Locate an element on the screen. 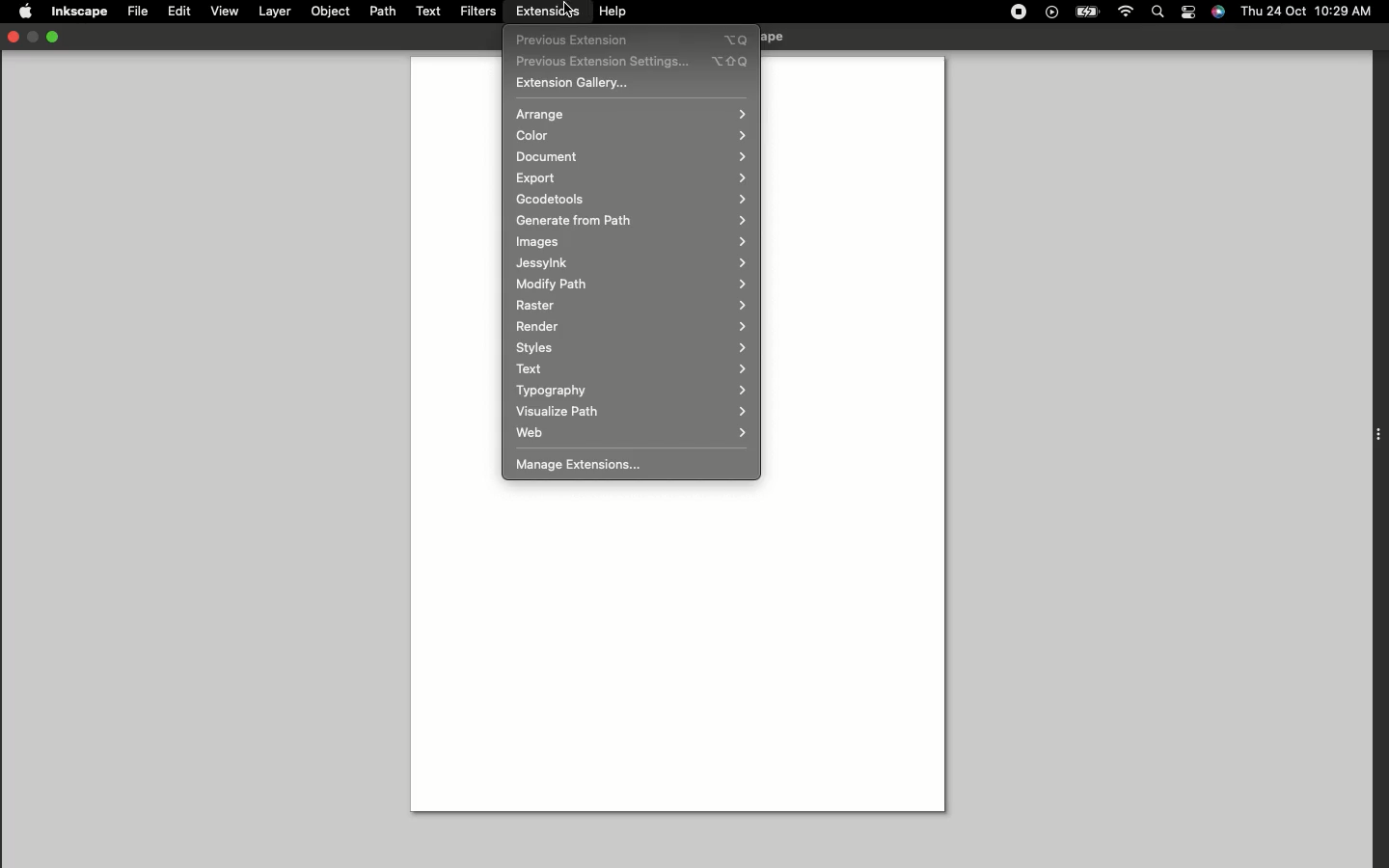 Image resolution: width=1389 pixels, height=868 pixels. Path is located at coordinates (387, 13).